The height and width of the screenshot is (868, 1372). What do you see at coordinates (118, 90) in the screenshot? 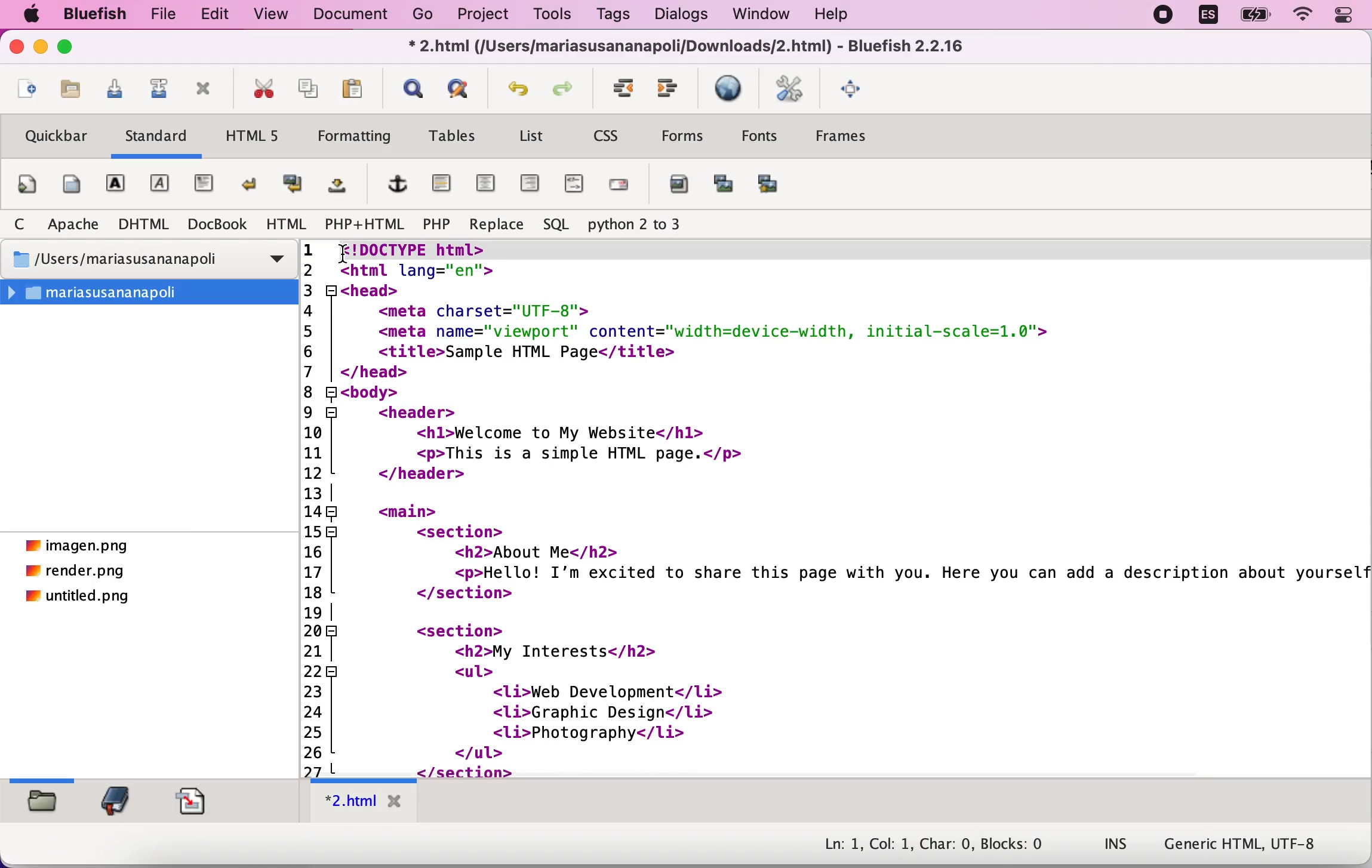
I see `save` at bounding box center [118, 90].